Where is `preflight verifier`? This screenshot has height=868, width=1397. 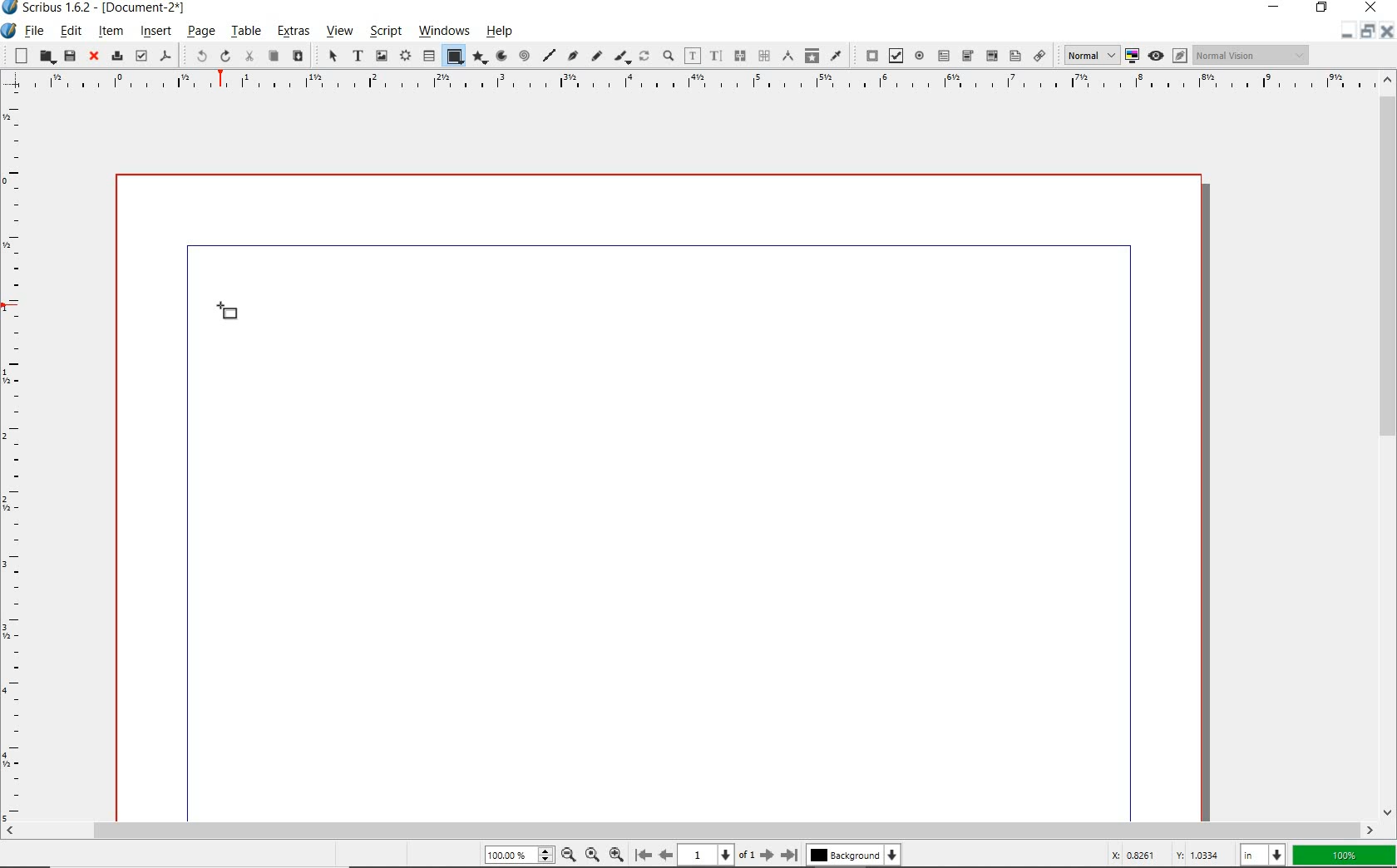
preflight verifier is located at coordinates (141, 56).